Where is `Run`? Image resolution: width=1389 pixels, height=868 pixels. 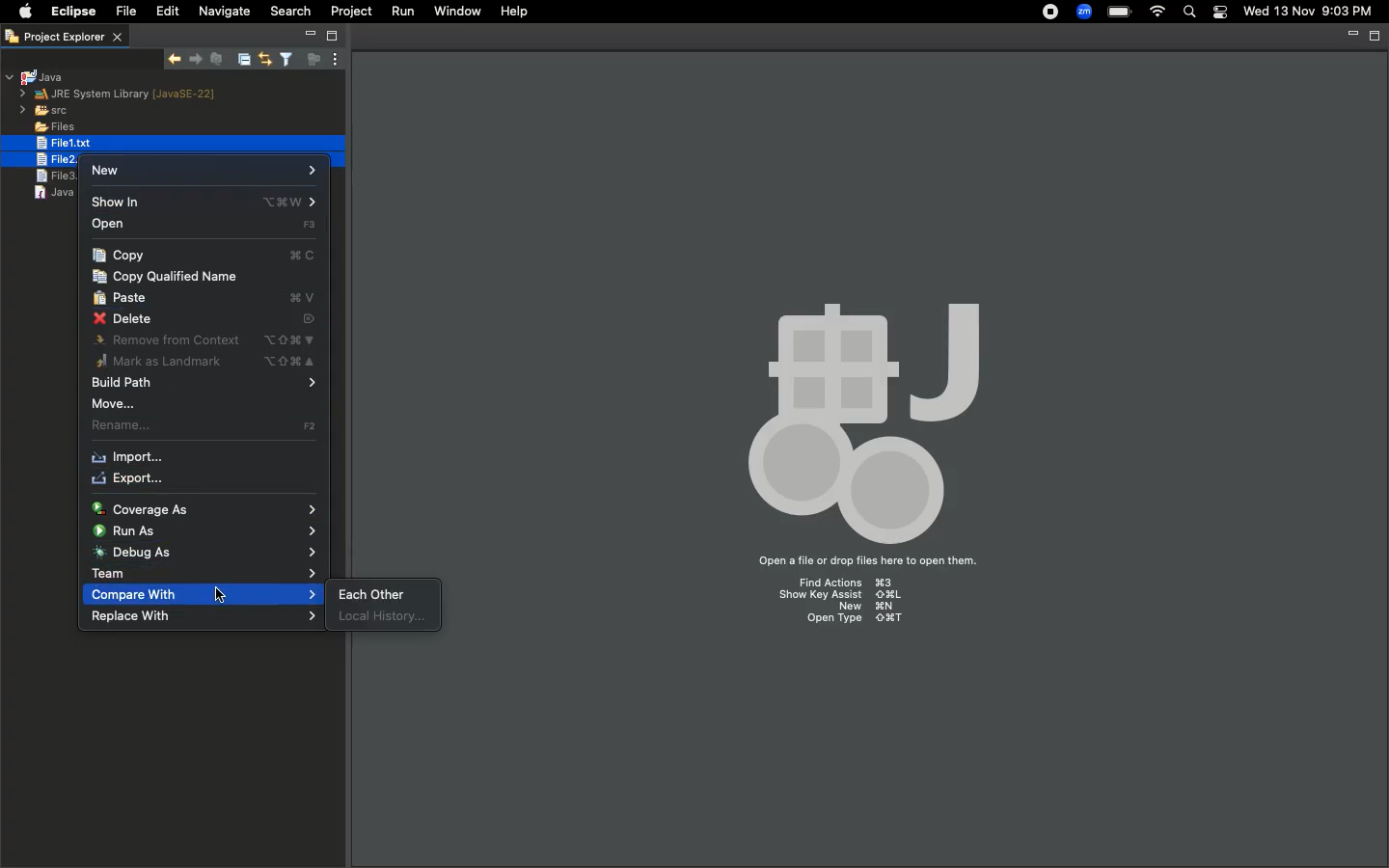
Run is located at coordinates (401, 12).